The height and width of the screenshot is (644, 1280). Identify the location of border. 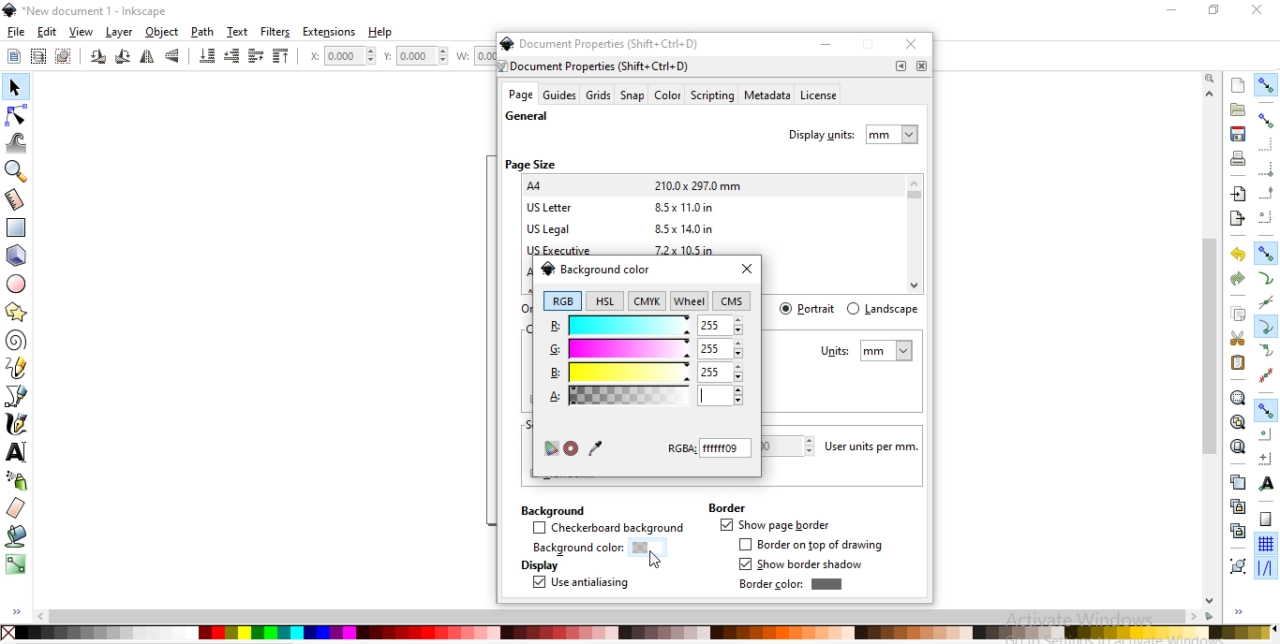
(726, 507).